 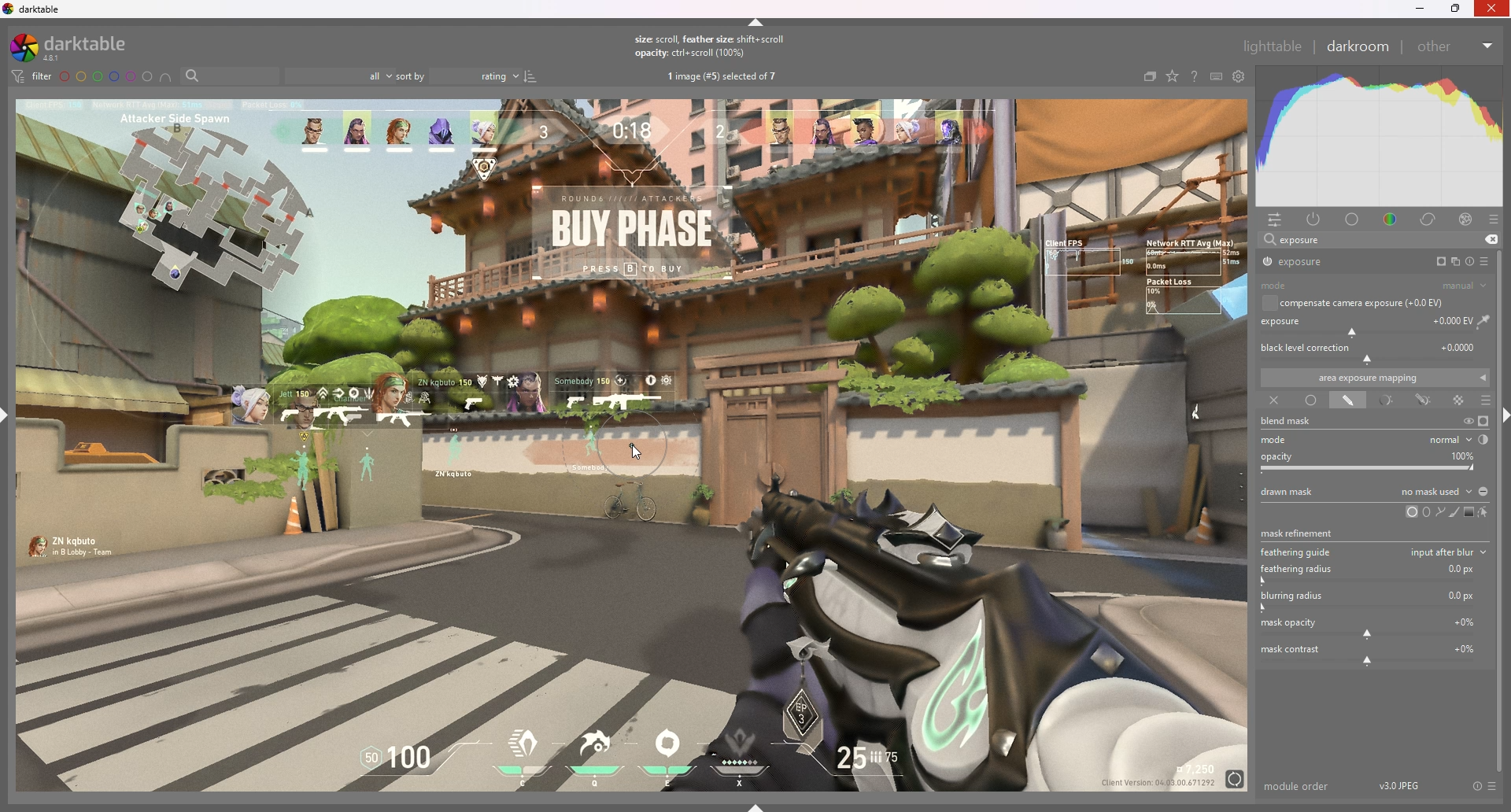 What do you see at coordinates (1418, 551) in the screenshot?
I see `tooltip` at bounding box center [1418, 551].